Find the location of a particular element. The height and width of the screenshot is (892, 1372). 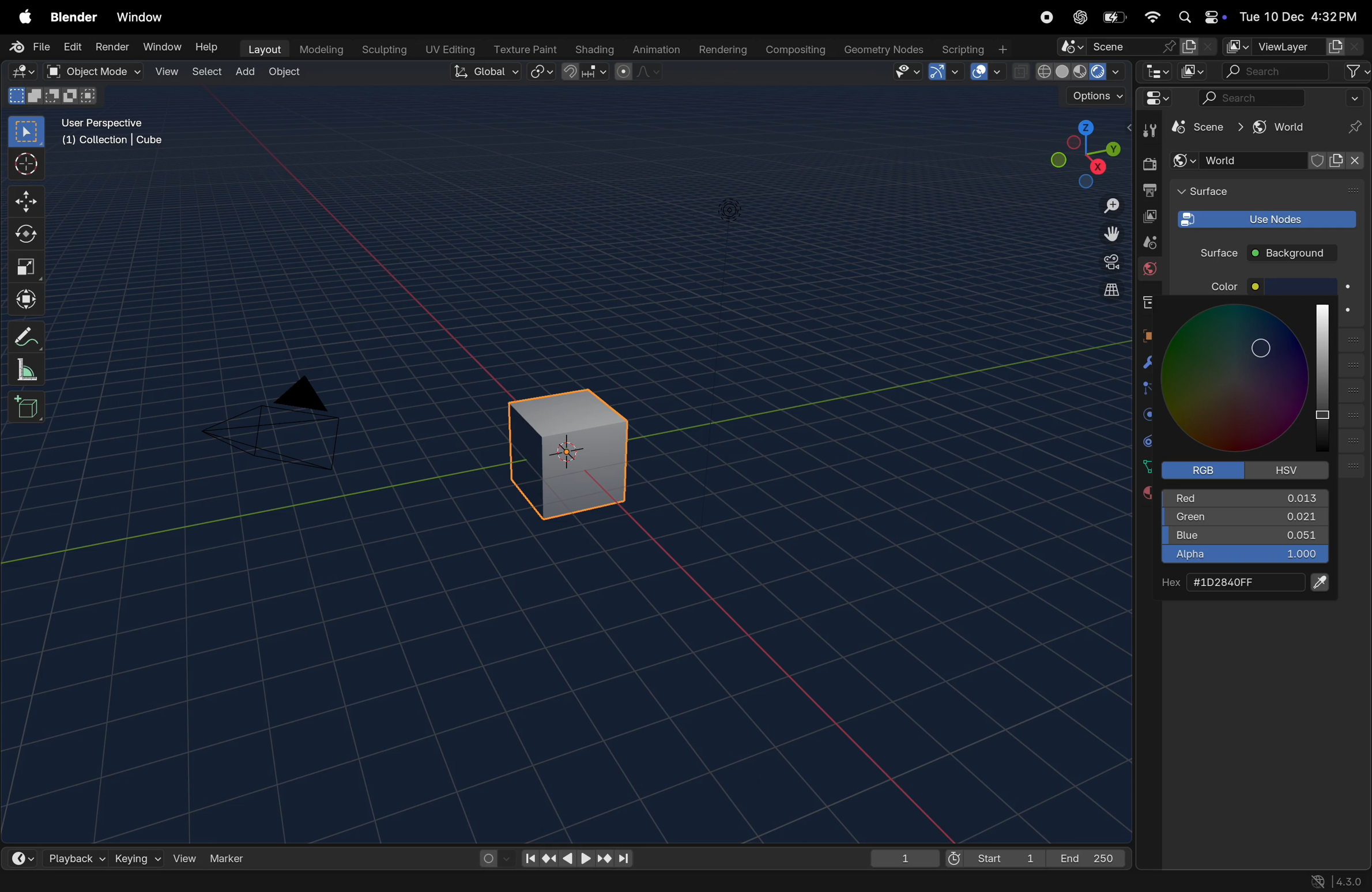

camera is located at coordinates (1105, 263).